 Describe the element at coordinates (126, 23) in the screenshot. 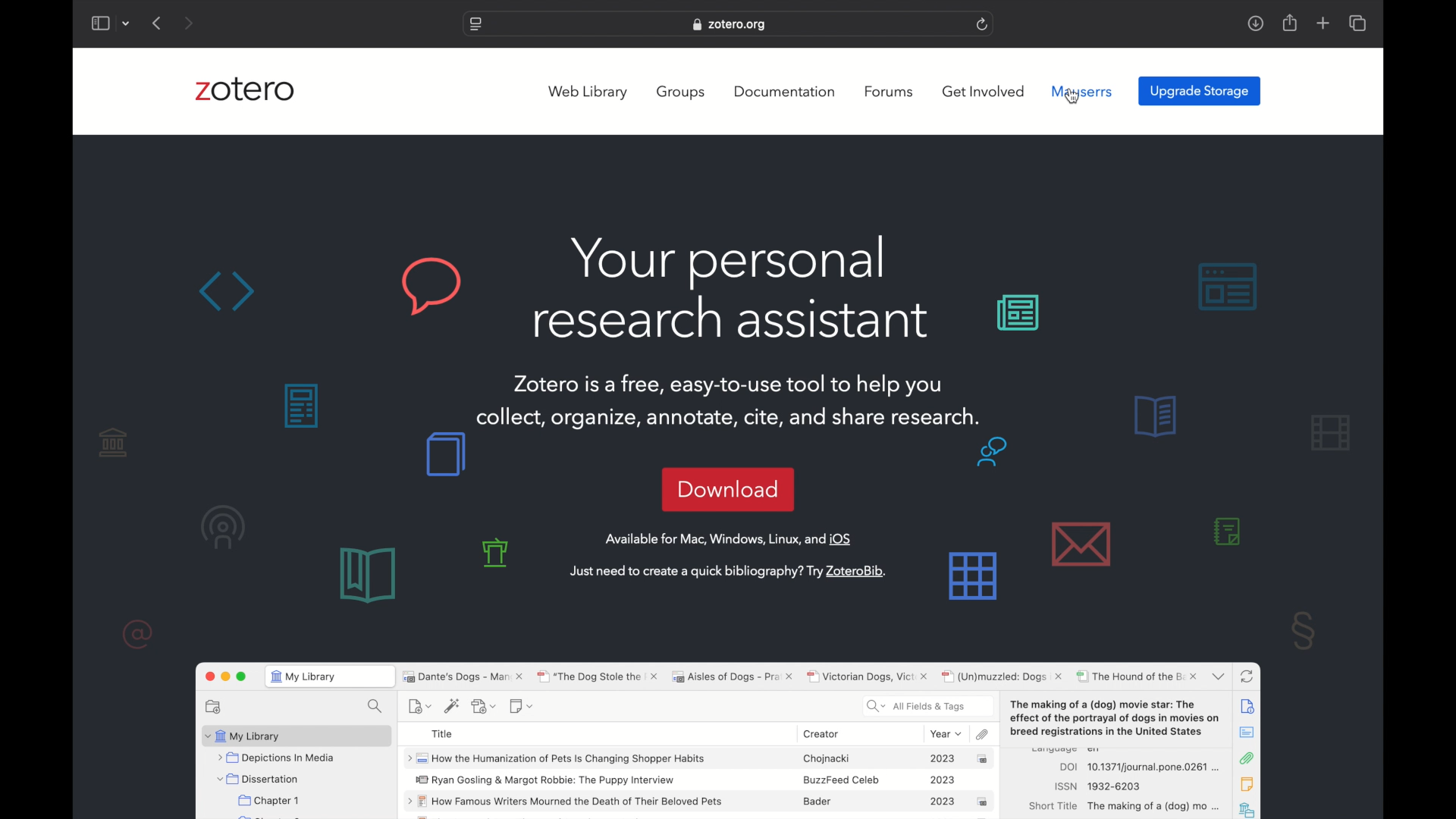

I see `dropdown` at that location.